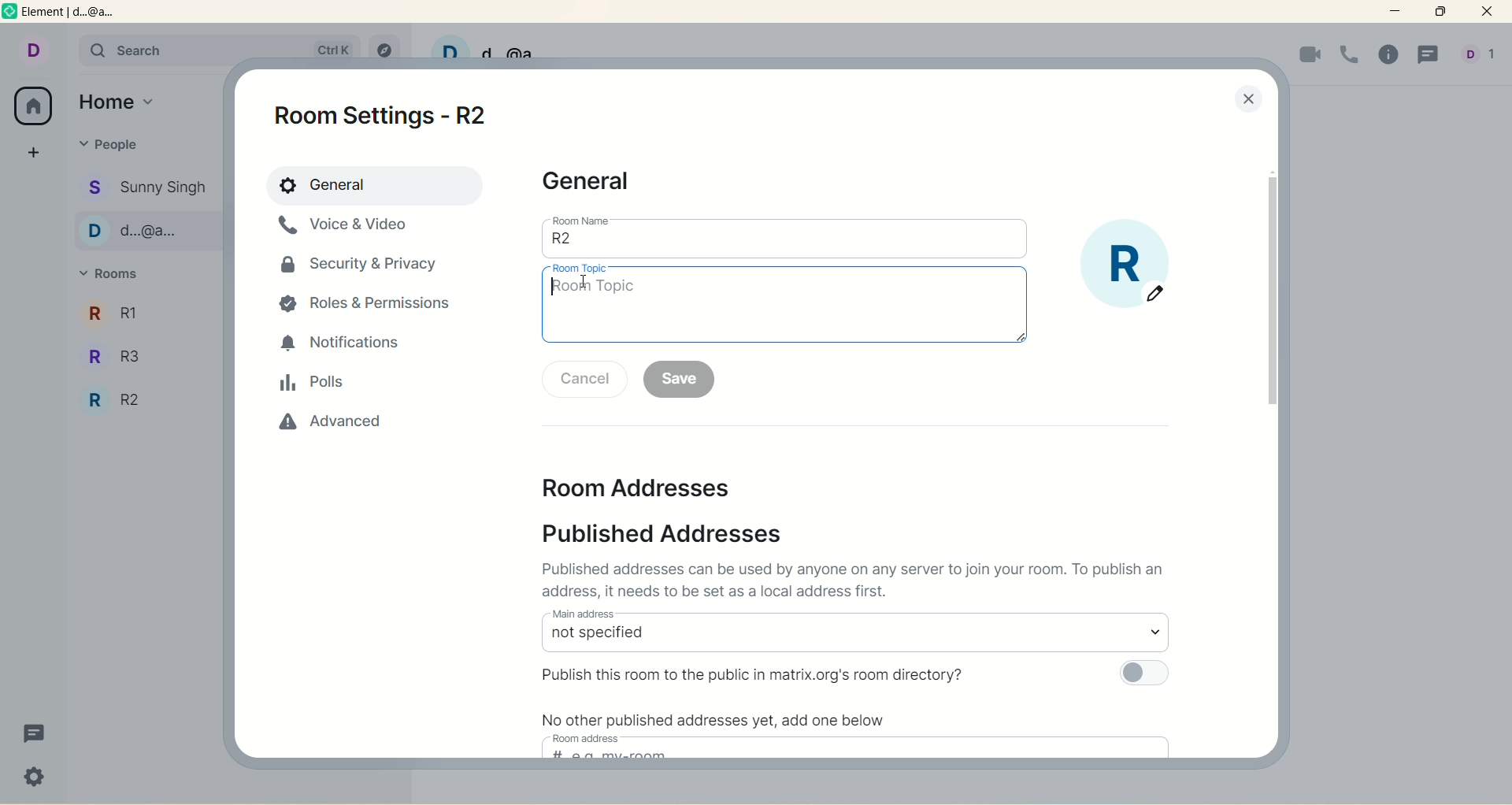  What do you see at coordinates (581, 220) in the screenshot?
I see `room name` at bounding box center [581, 220].